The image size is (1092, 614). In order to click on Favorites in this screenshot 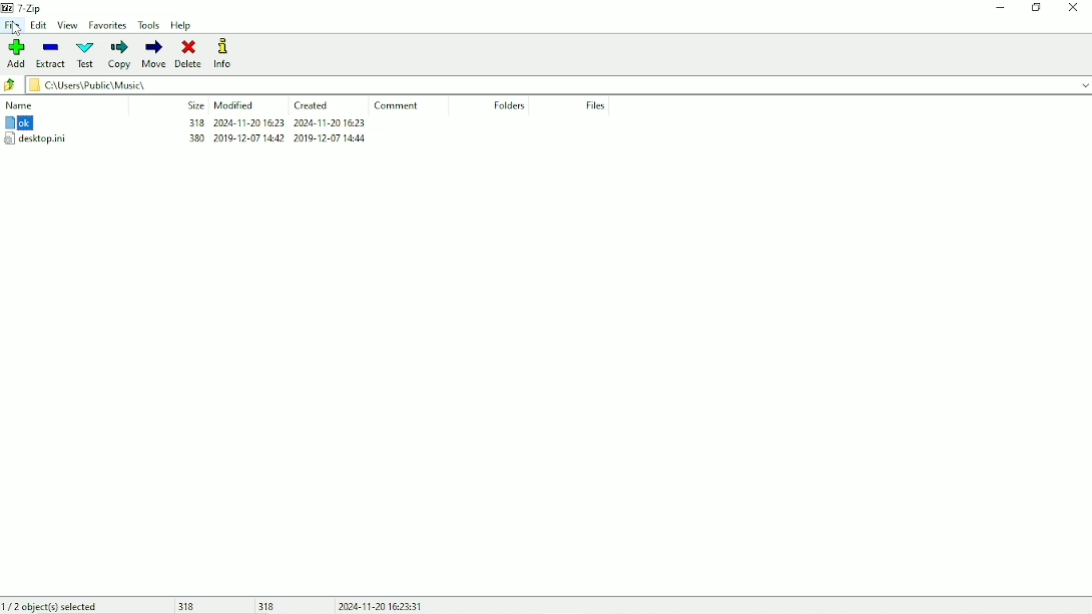, I will do `click(108, 24)`.